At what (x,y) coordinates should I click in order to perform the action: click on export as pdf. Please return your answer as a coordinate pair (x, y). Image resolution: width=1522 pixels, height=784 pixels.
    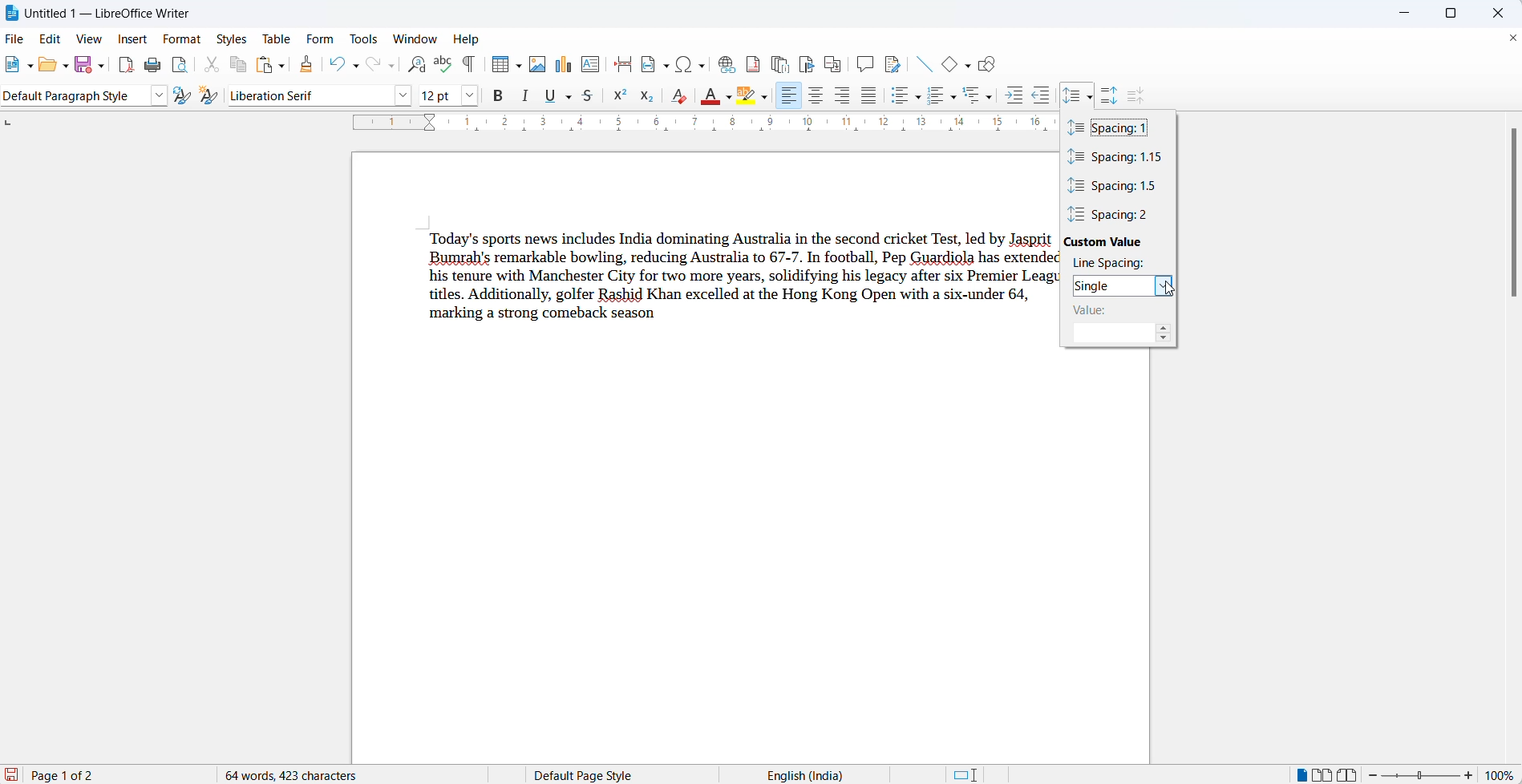
    Looking at the image, I should click on (125, 65).